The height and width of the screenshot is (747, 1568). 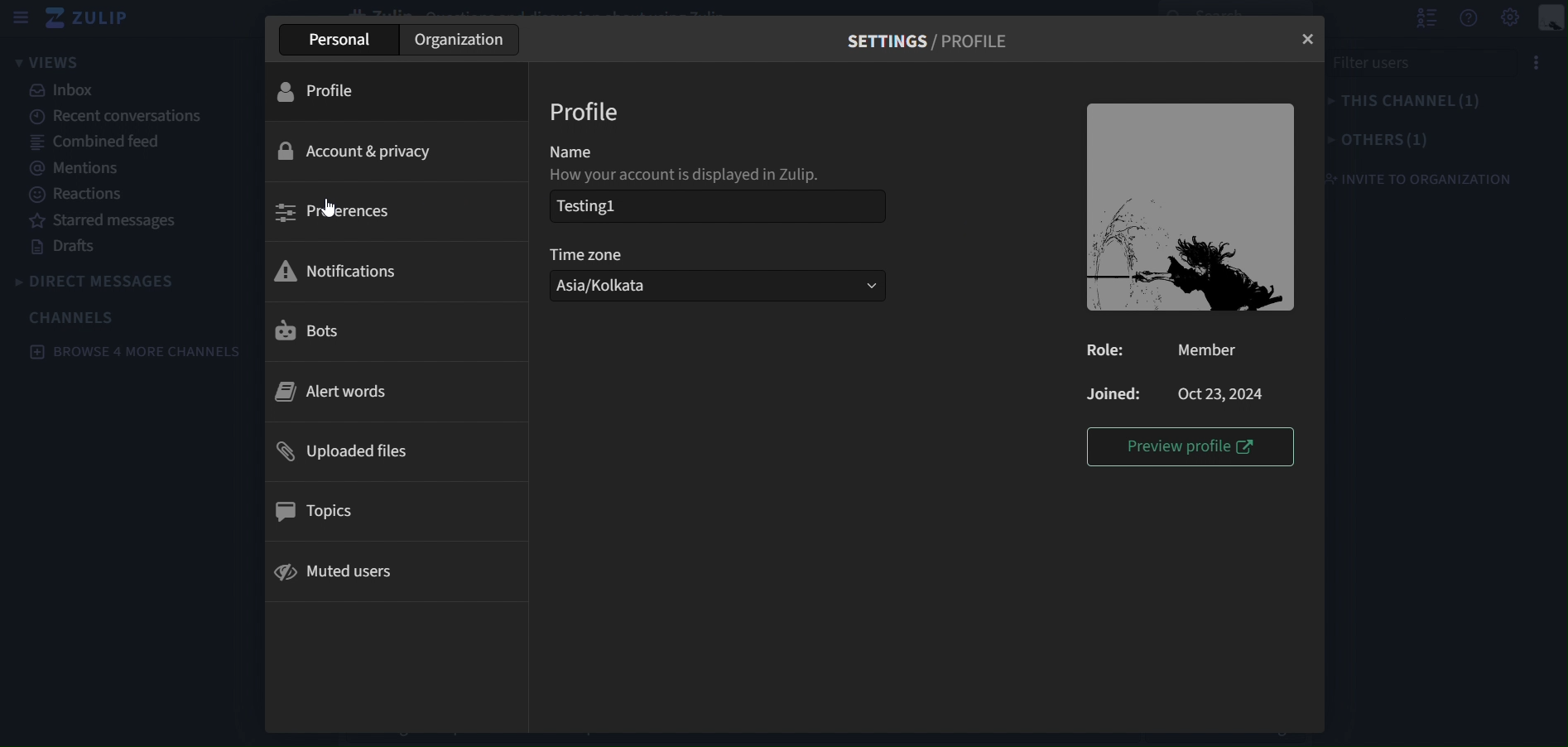 What do you see at coordinates (612, 253) in the screenshot?
I see `time zone` at bounding box center [612, 253].